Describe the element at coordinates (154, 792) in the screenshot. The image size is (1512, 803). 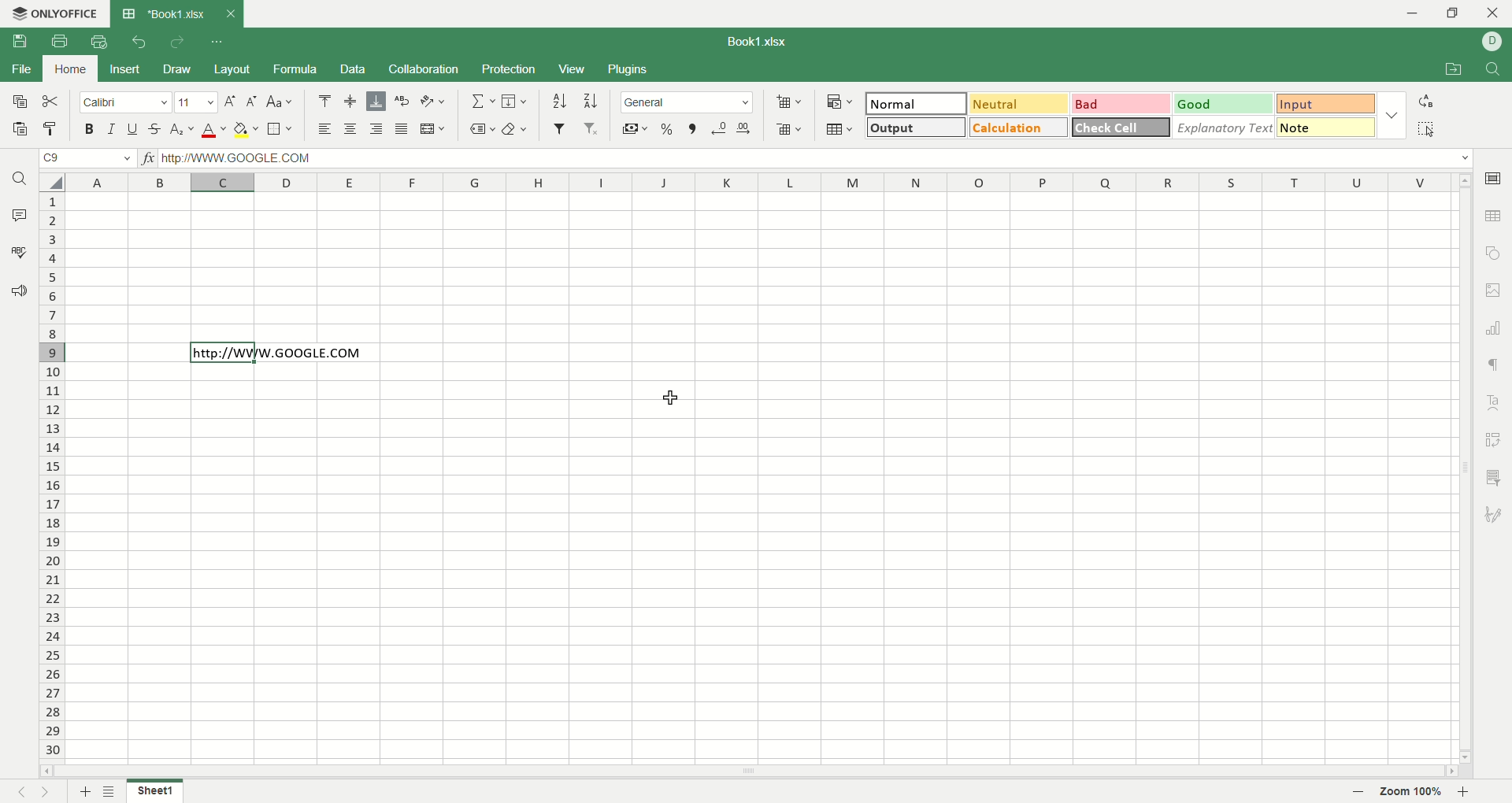
I see `sheet` at that location.